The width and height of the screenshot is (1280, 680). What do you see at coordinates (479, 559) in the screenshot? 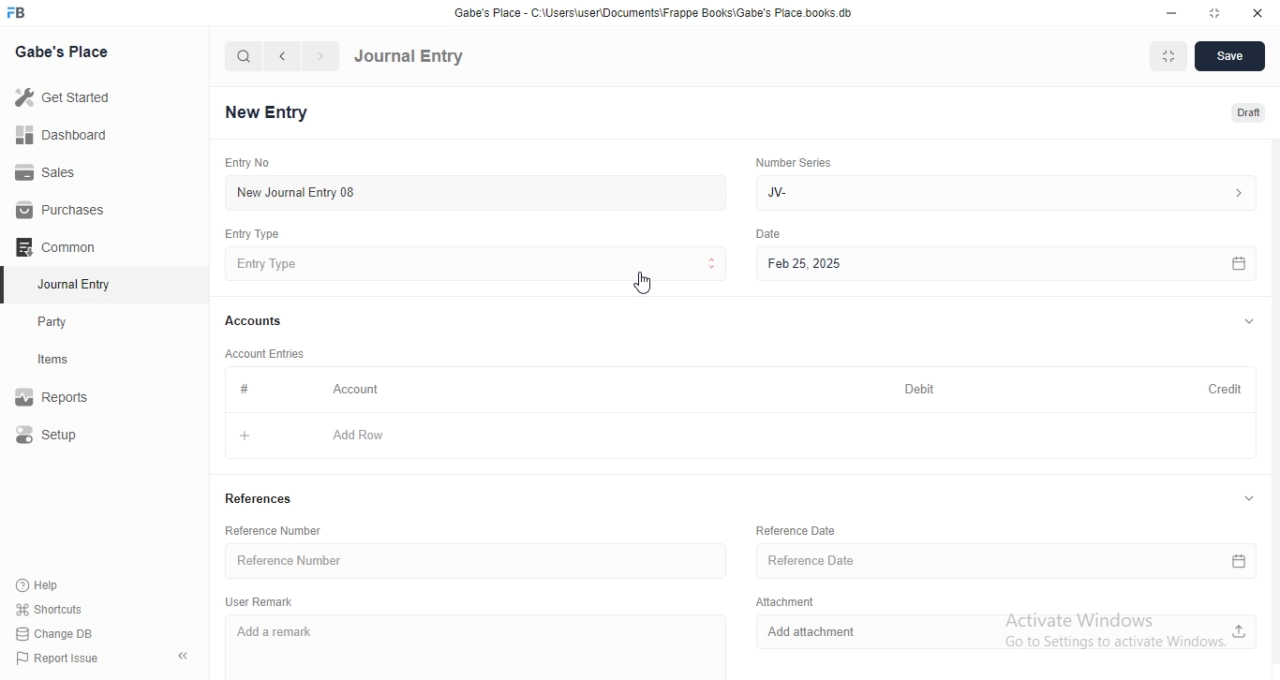
I see `Reference Number` at bounding box center [479, 559].